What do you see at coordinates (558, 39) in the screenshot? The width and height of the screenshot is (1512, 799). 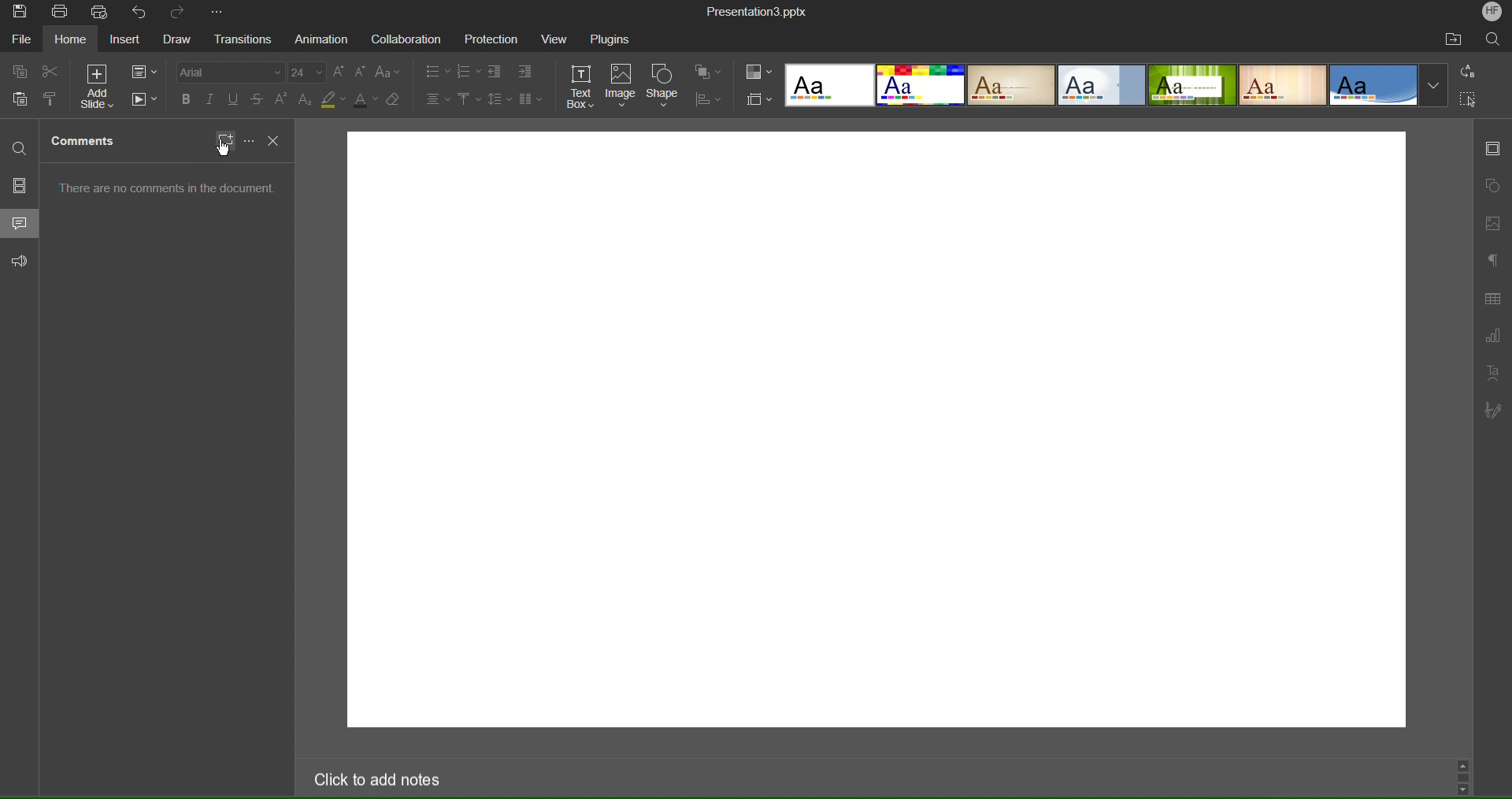 I see `View` at bounding box center [558, 39].